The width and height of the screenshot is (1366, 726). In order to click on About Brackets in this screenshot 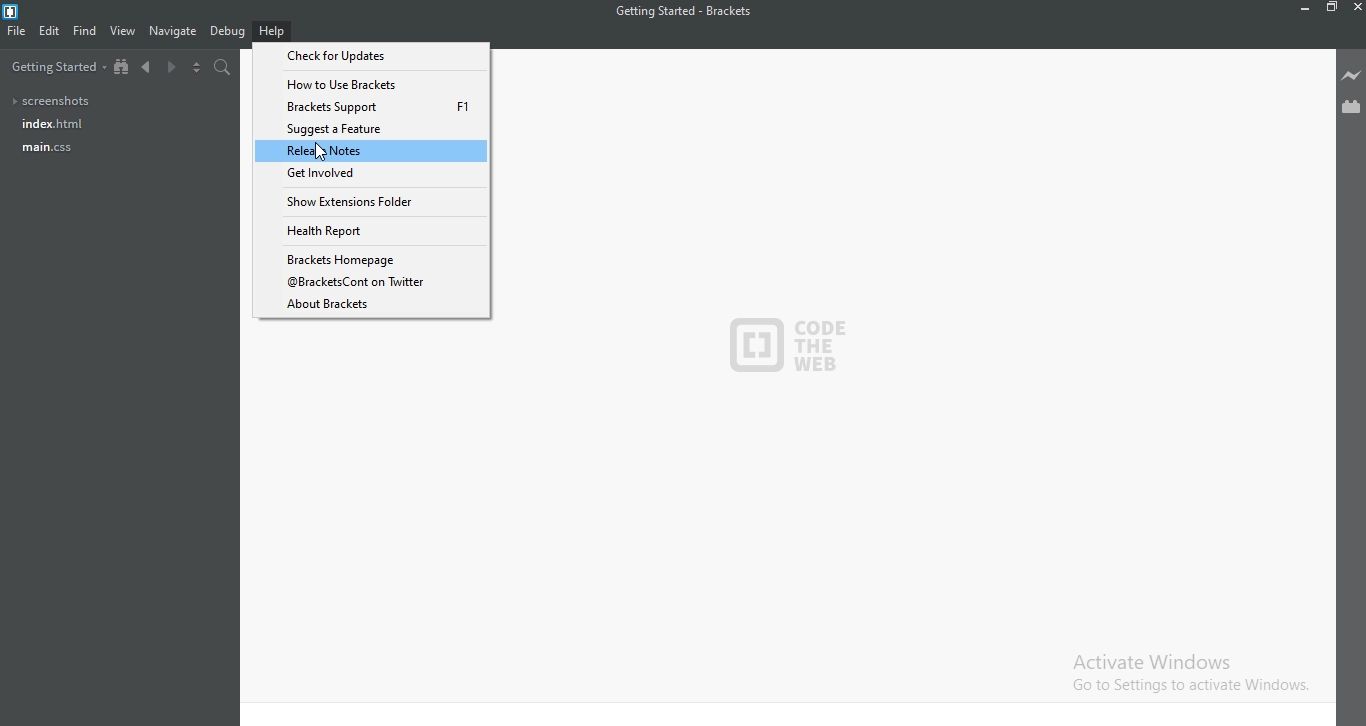, I will do `click(371, 307)`.